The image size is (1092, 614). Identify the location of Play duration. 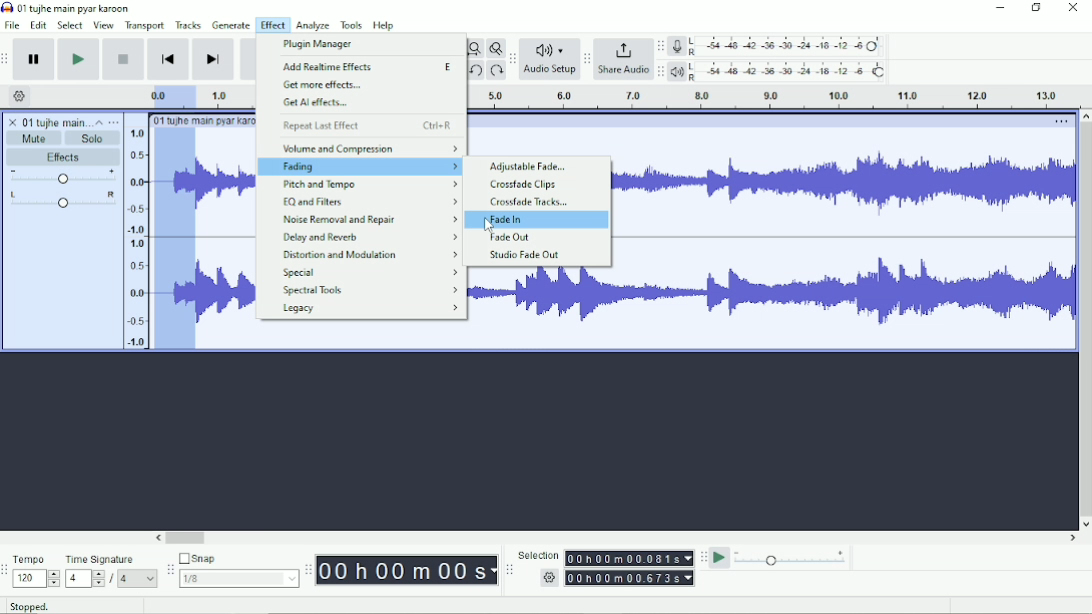
(769, 97).